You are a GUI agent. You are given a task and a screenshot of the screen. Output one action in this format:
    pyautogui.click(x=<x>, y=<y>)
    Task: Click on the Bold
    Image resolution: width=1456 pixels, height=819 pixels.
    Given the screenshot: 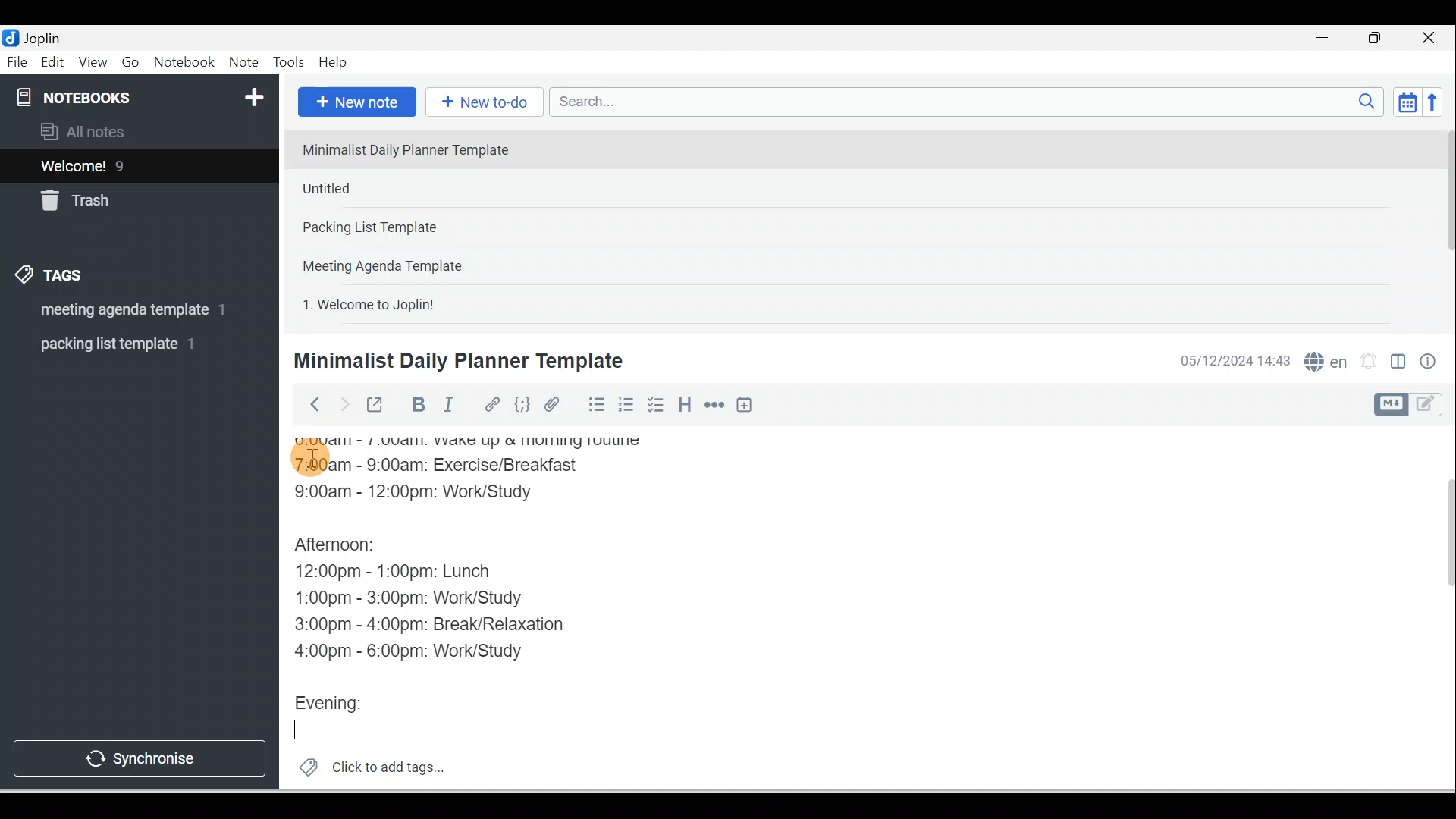 What is the action you would take?
    pyautogui.click(x=416, y=405)
    